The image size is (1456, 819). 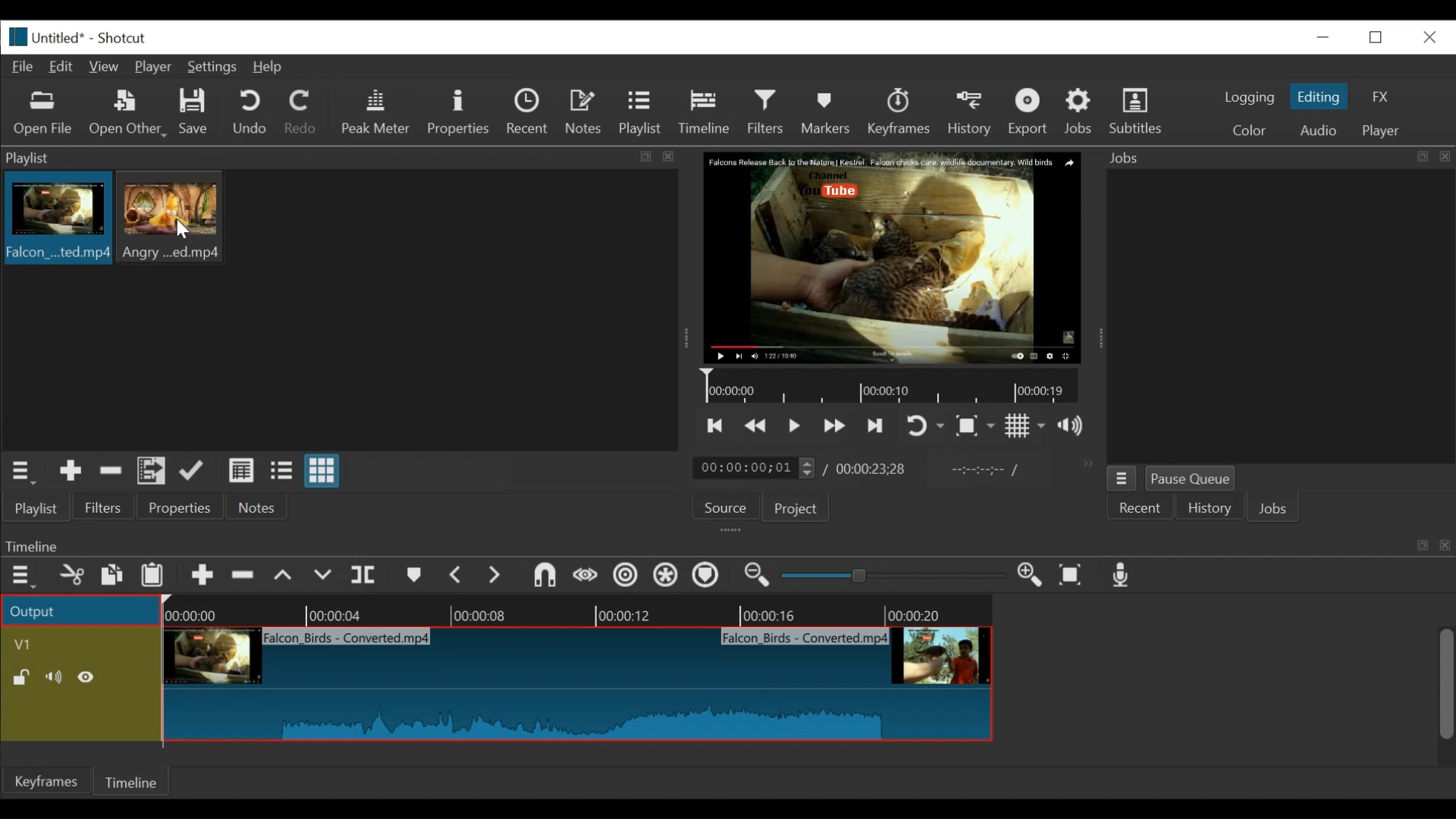 What do you see at coordinates (720, 510) in the screenshot?
I see `Source` at bounding box center [720, 510].